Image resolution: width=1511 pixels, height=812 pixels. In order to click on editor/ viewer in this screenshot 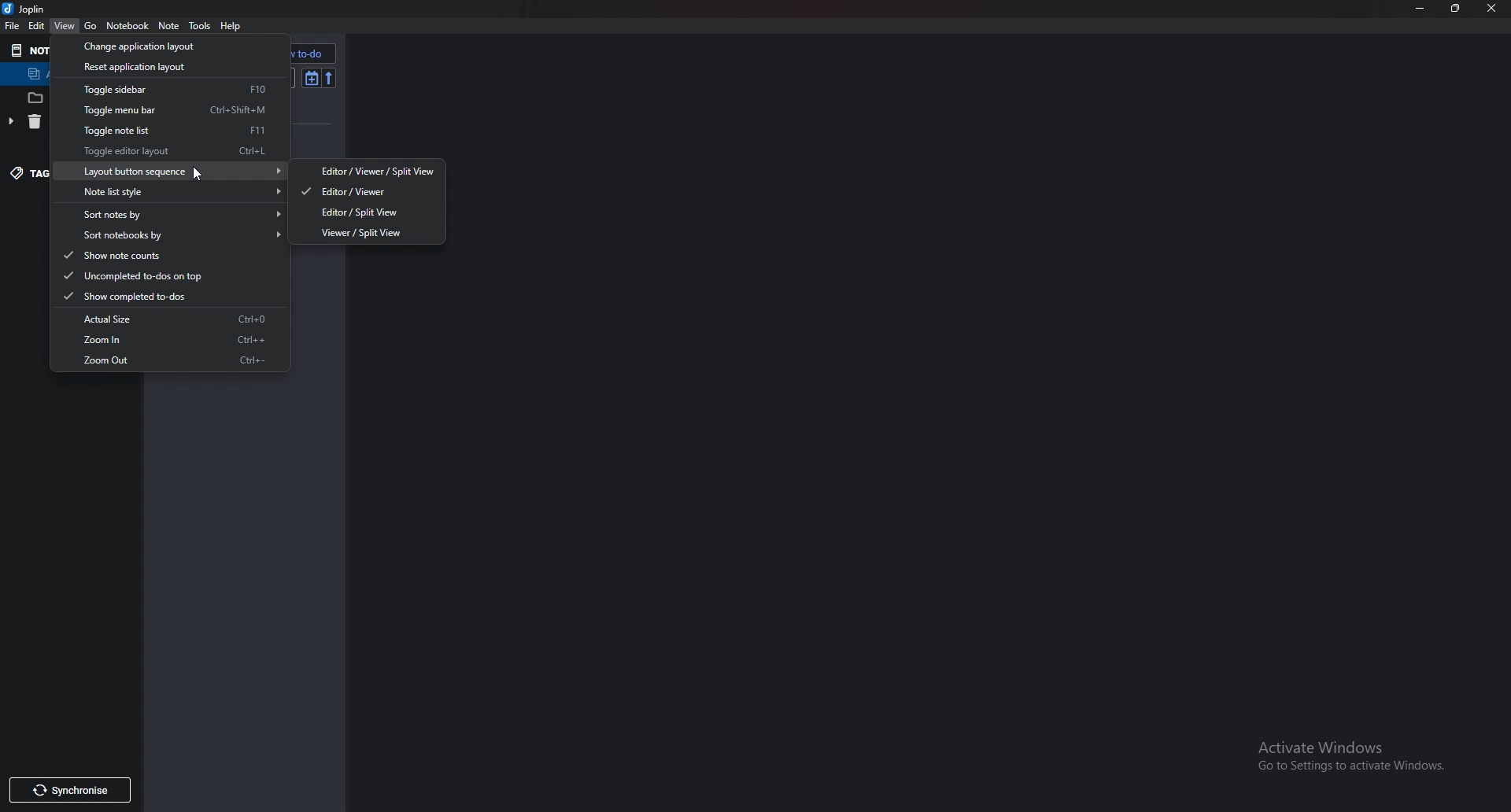, I will do `click(367, 191)`.